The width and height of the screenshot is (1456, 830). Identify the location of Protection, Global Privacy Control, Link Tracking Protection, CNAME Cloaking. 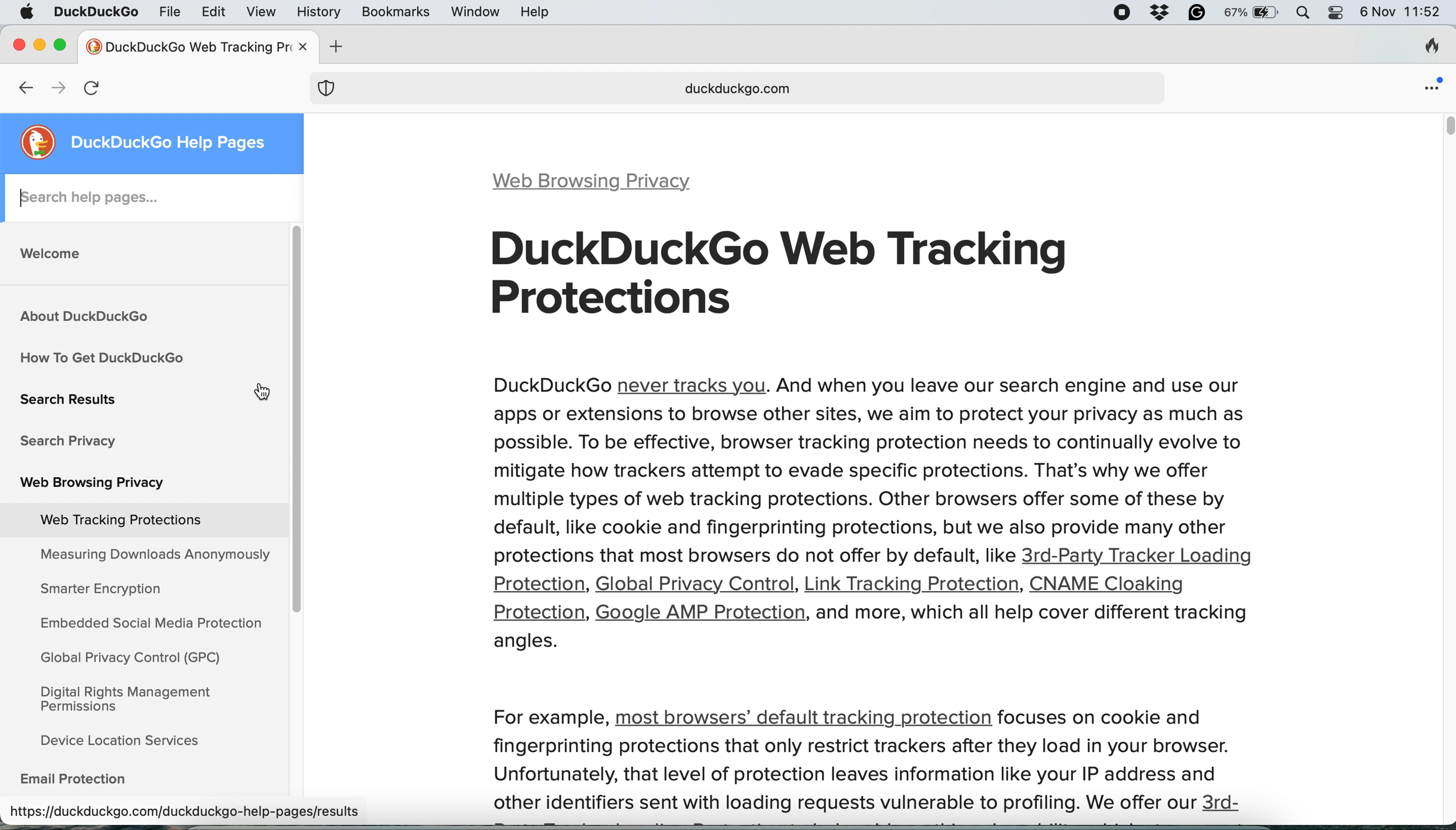
(867, 582).